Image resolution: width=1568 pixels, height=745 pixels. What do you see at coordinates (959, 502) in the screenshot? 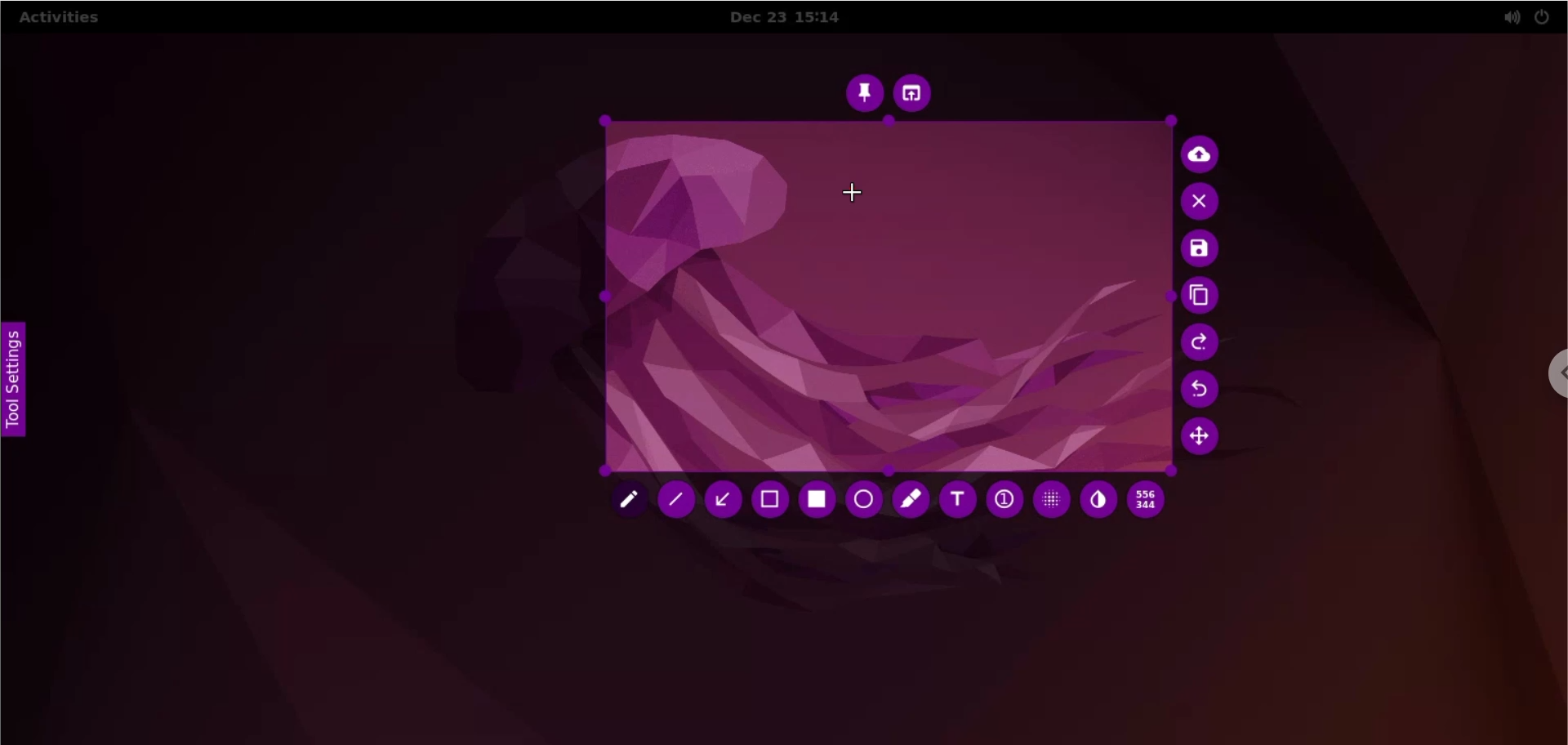
I see `text tool` at bounding box center [959, 502].